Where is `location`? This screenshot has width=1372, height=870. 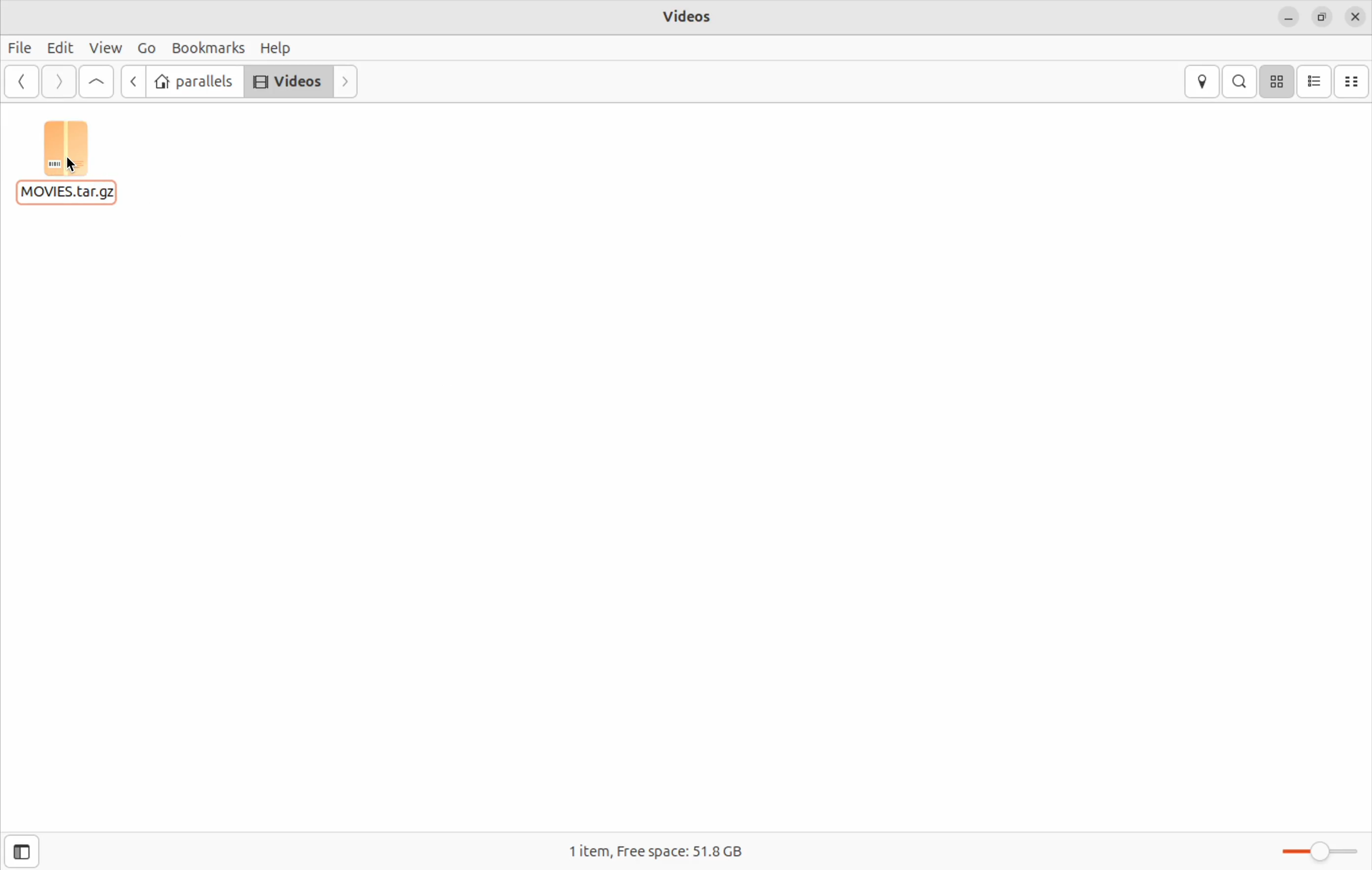 location is located at coordinates (1203, 80).